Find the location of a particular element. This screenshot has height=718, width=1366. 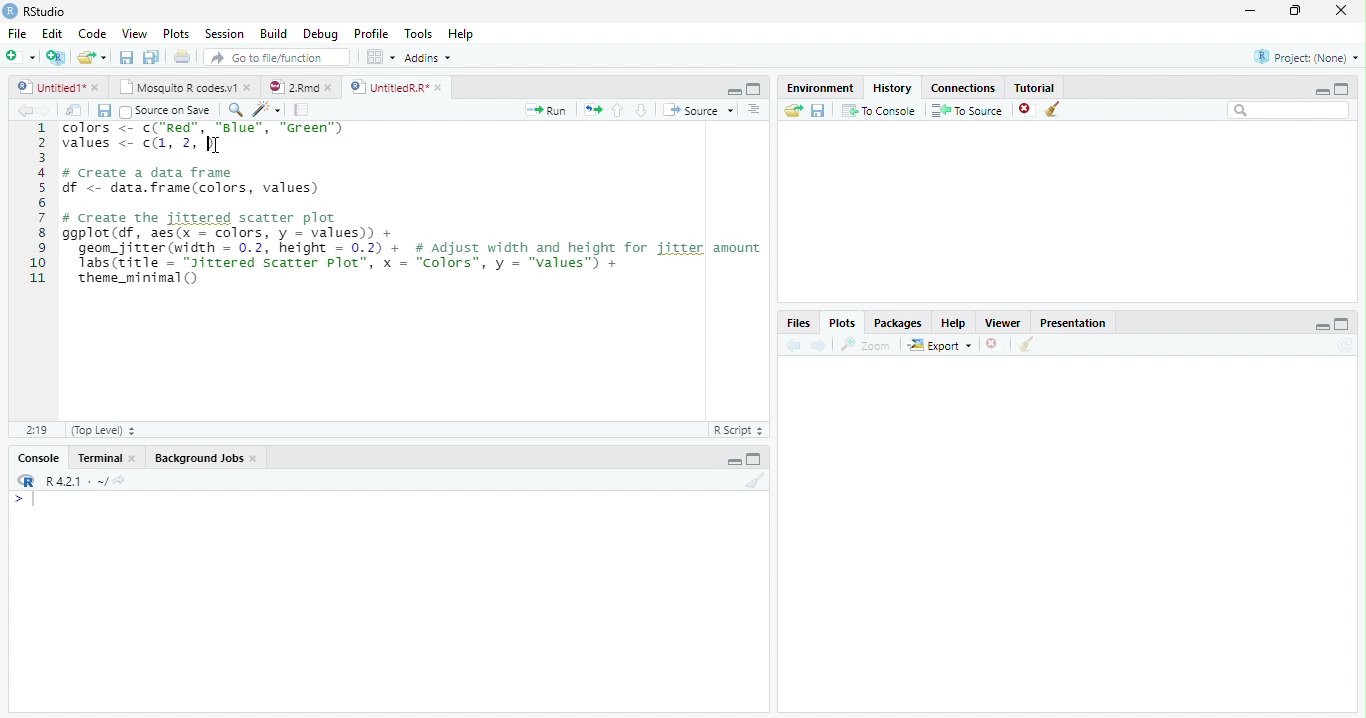

Background Jobs is located at coordinates (198, 457).